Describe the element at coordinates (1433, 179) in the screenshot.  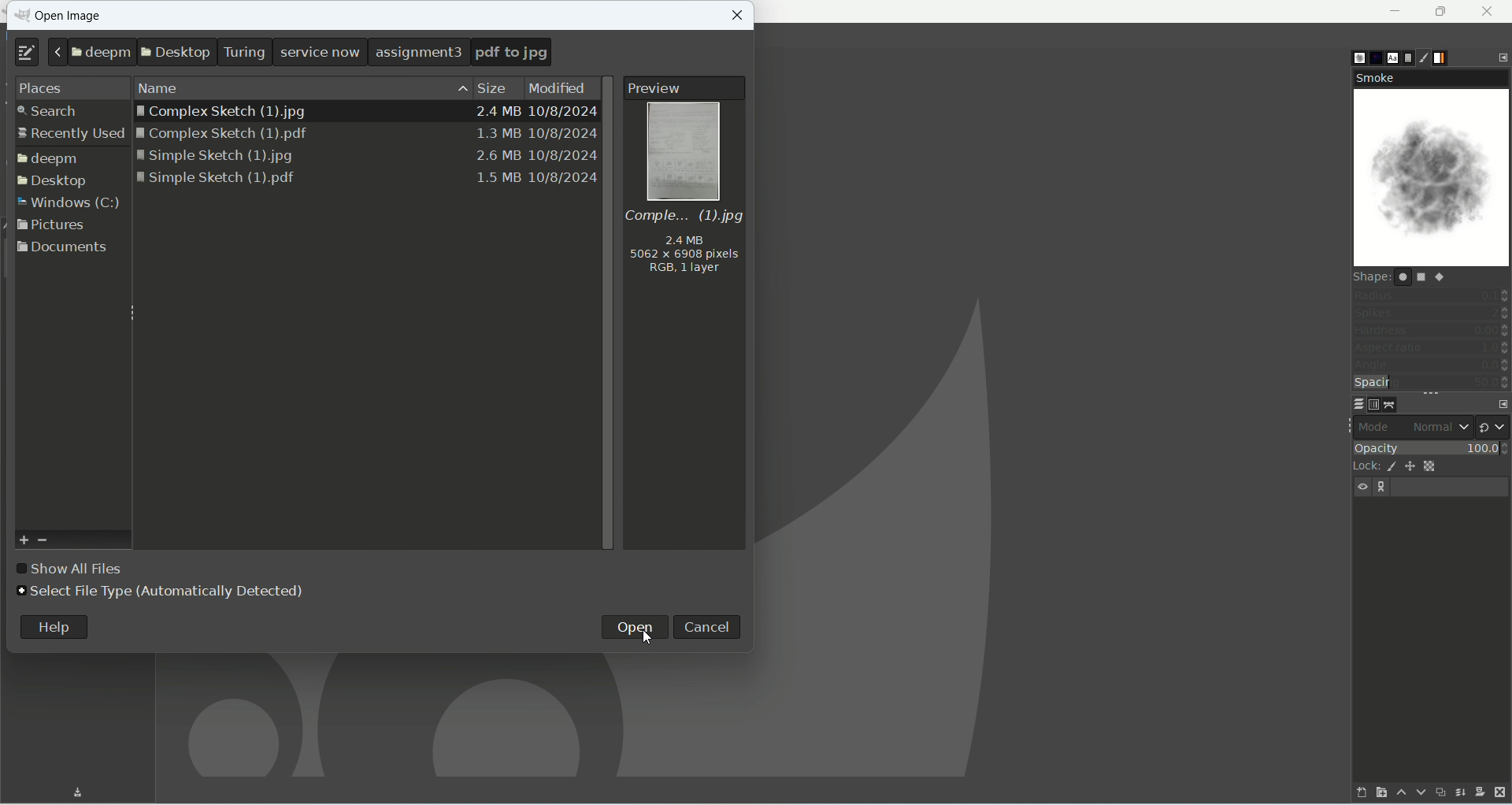
I see `smoke` at that location.